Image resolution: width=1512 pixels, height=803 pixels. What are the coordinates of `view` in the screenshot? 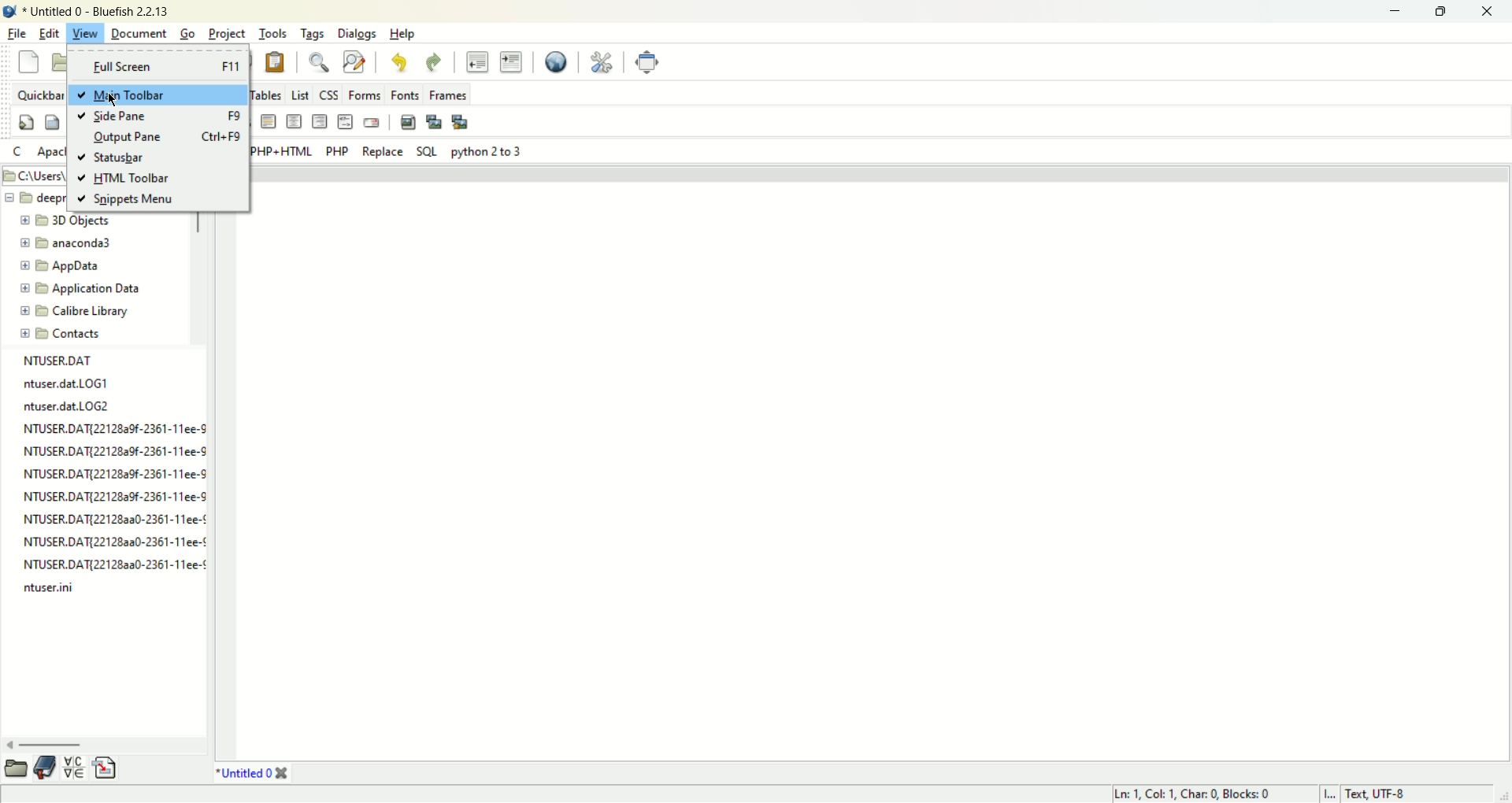 It's located at (83, 34).